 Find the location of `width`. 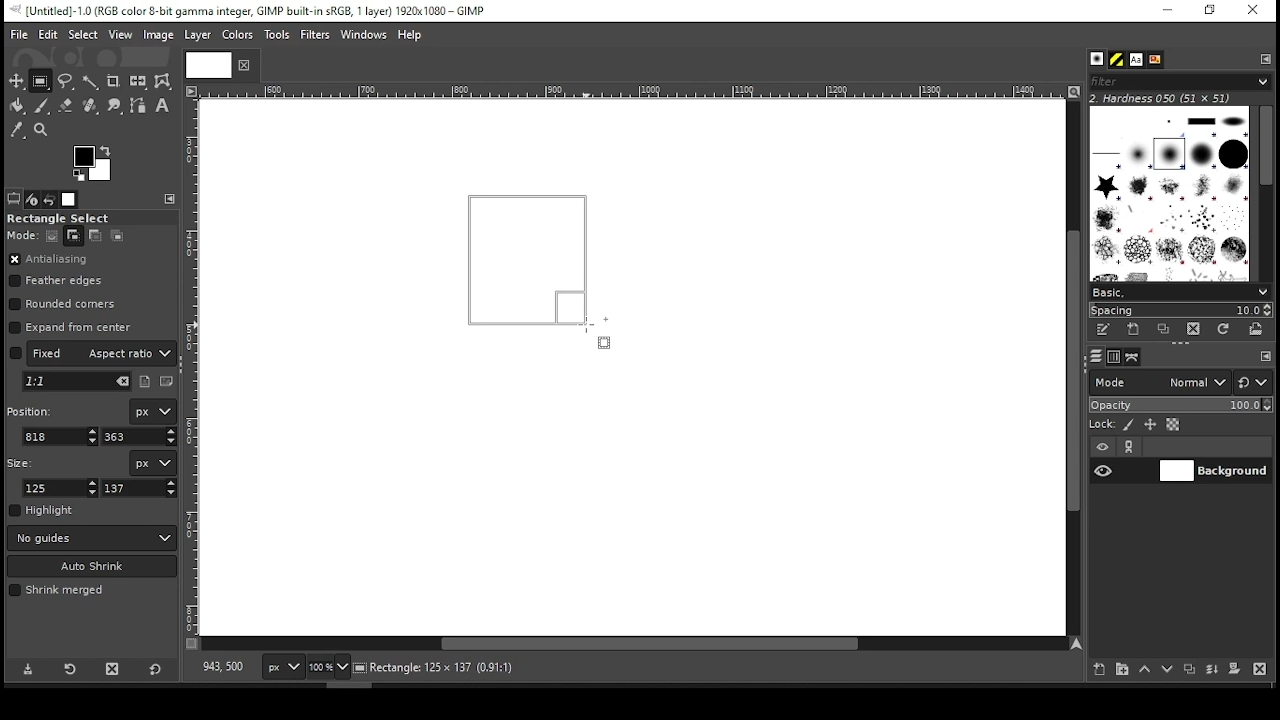

width is located at coordinates (62, 488).